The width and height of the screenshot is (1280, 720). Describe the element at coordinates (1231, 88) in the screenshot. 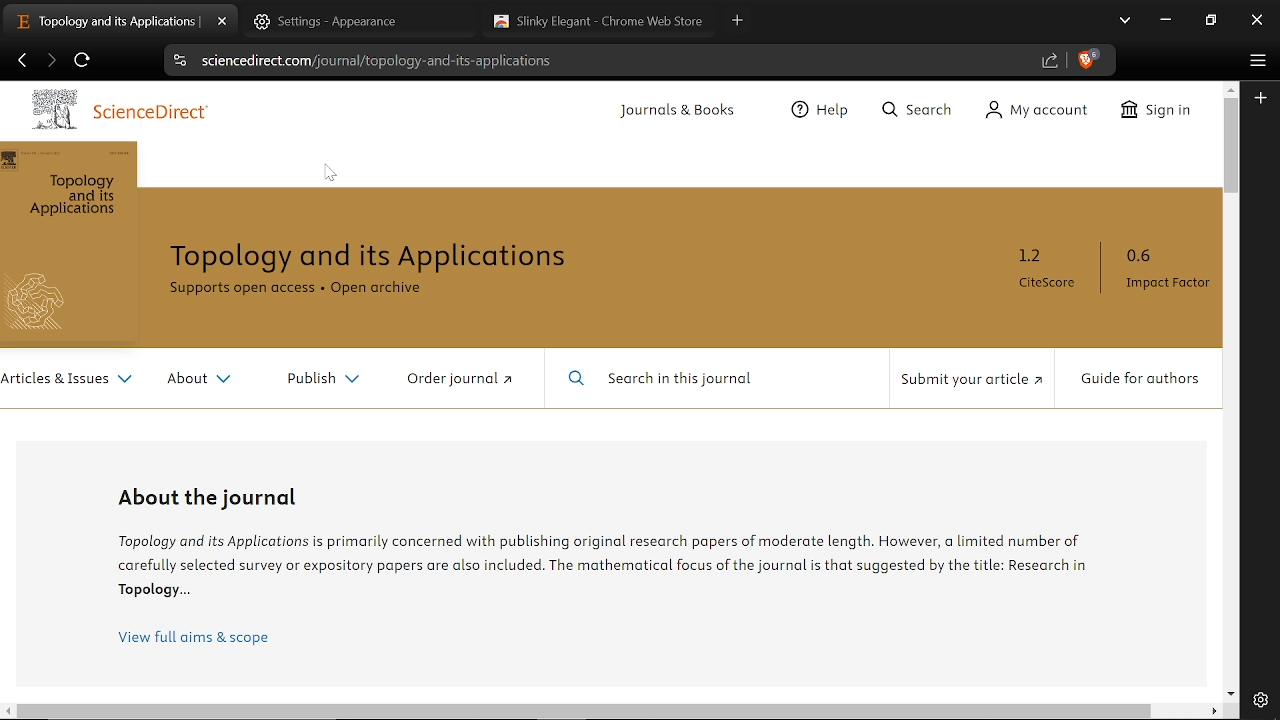

I see `Move up` at that location.